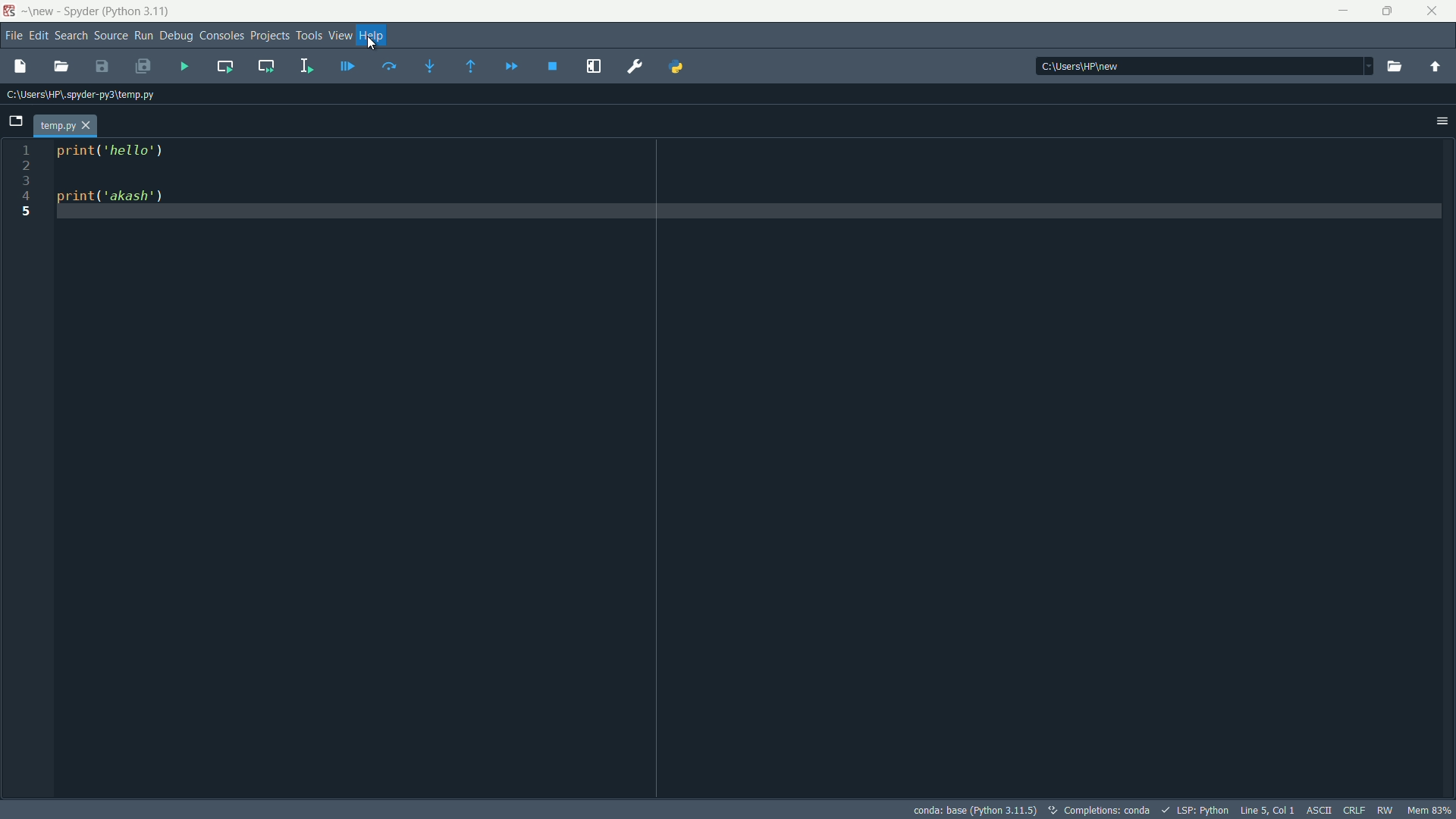 Image resolution: width=1456 pixels, height=819 pixels. Describe the element at coordinates (110, 36) in the screenshot. I see `source menu` at that location.